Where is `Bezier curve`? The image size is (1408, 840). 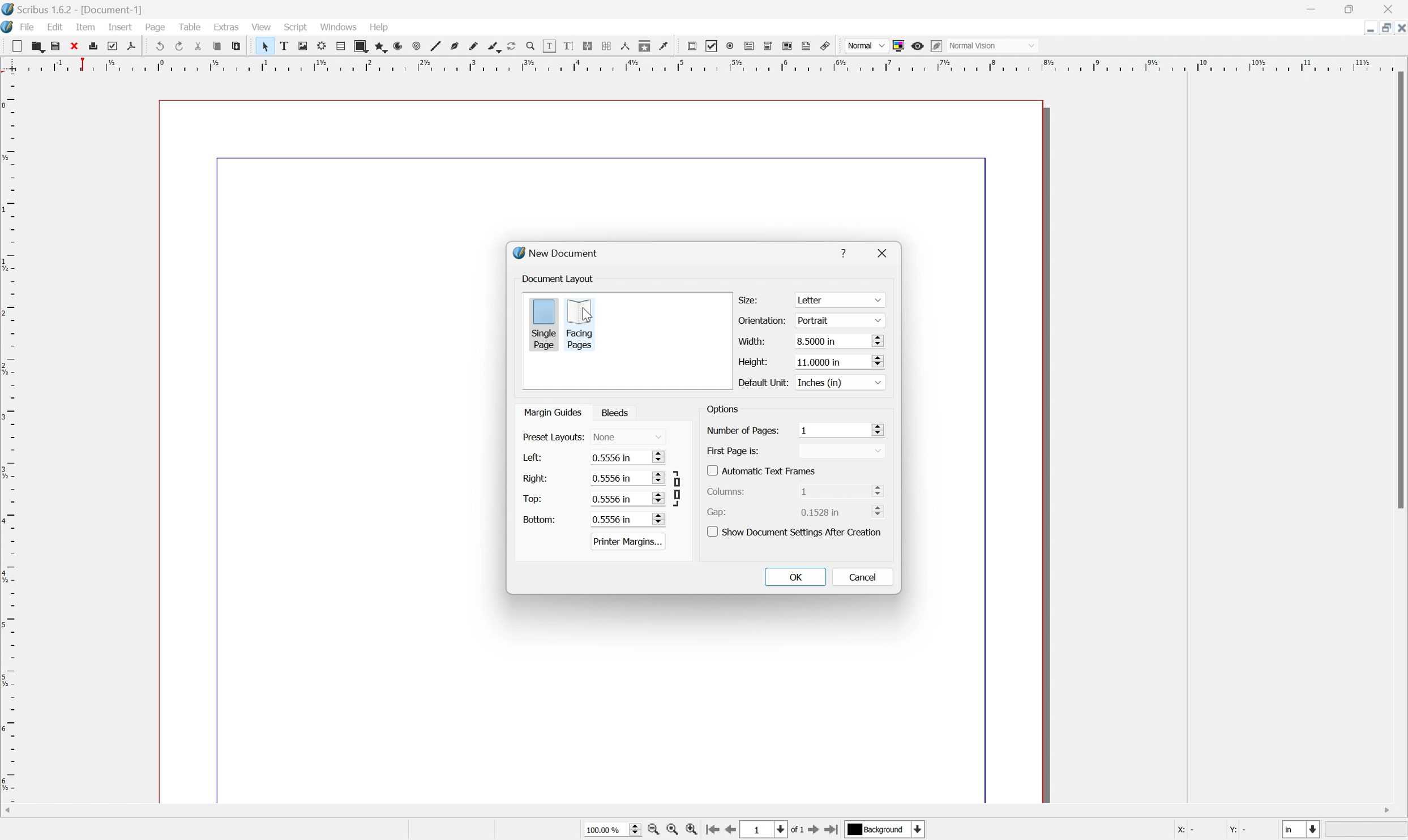 Bezier curve is located at coordinates (453, 46).